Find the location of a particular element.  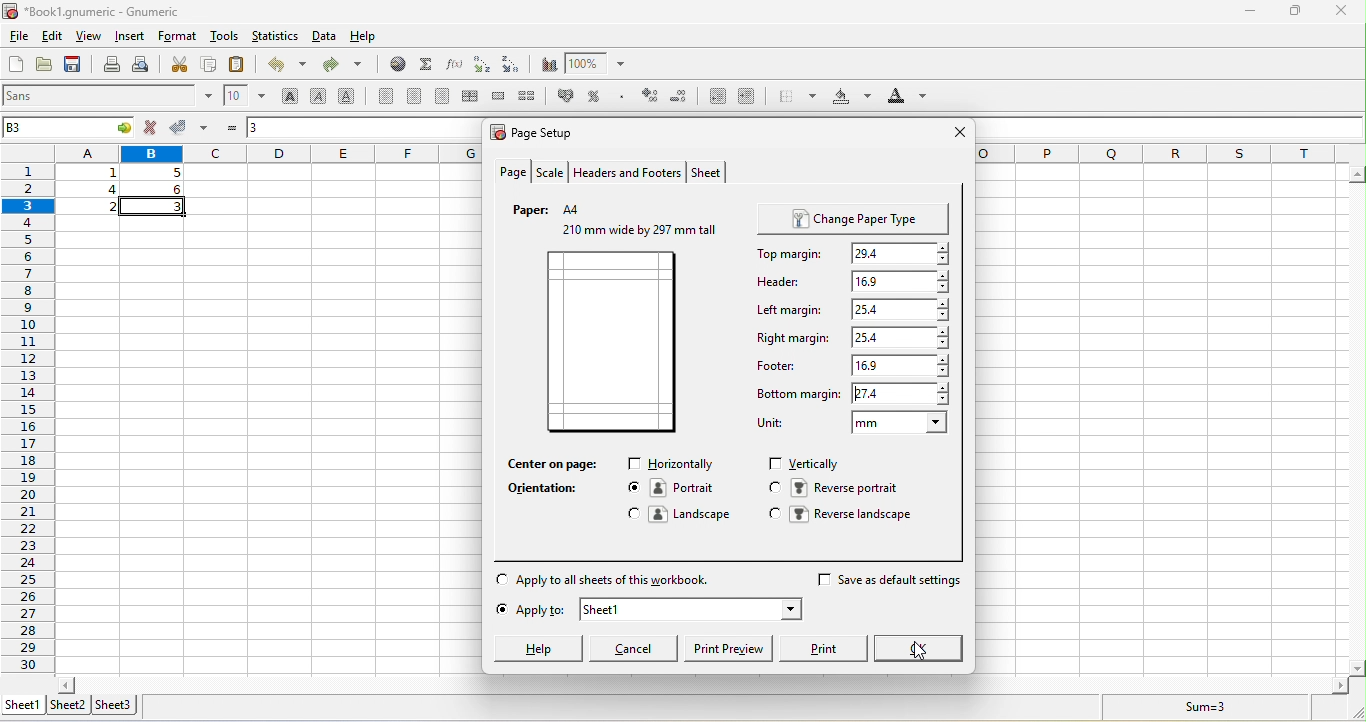

apply to all sheets of this workbook is located at coordinates (604, 579).